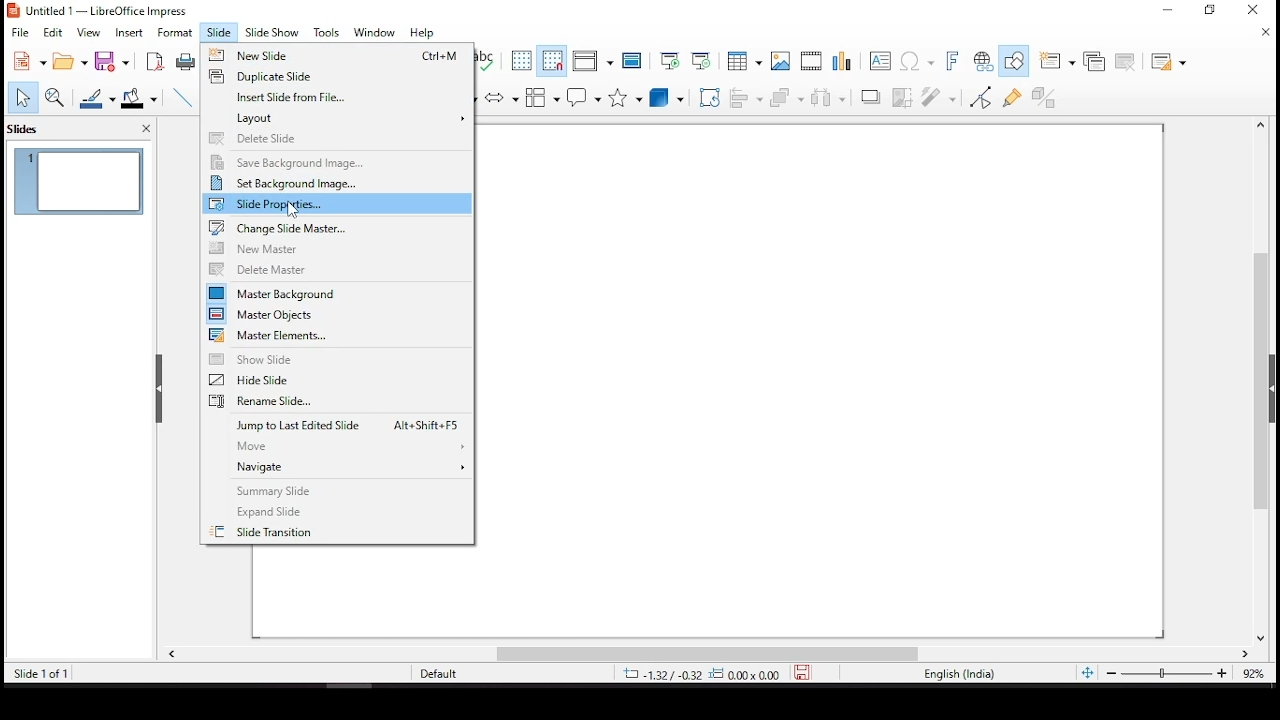  I want to click on insert audio or video, so click(812, 62).